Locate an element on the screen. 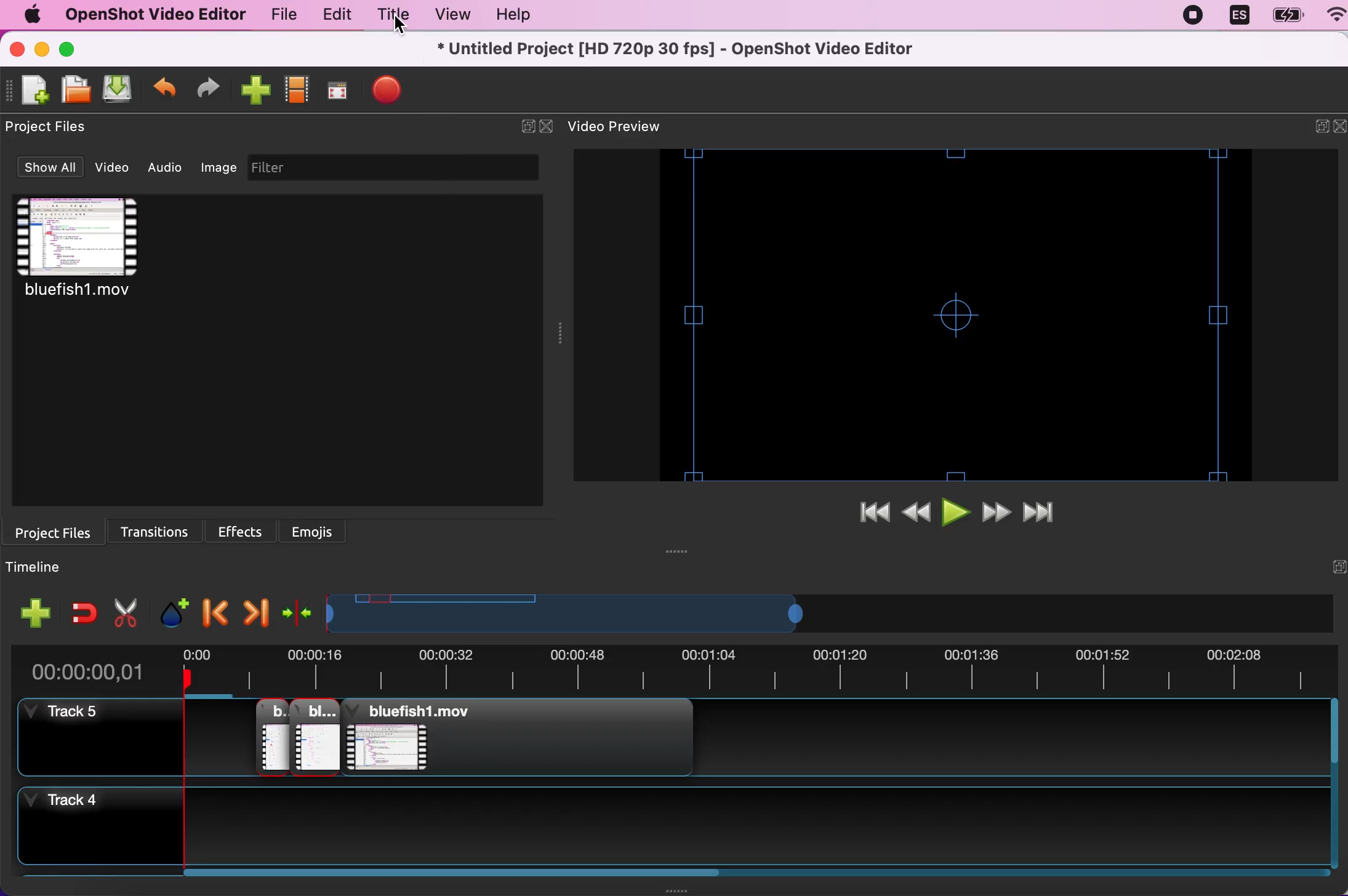 The height and width of the screenshot is (896, 1348). track 4 is located at coordinates (772, 833).